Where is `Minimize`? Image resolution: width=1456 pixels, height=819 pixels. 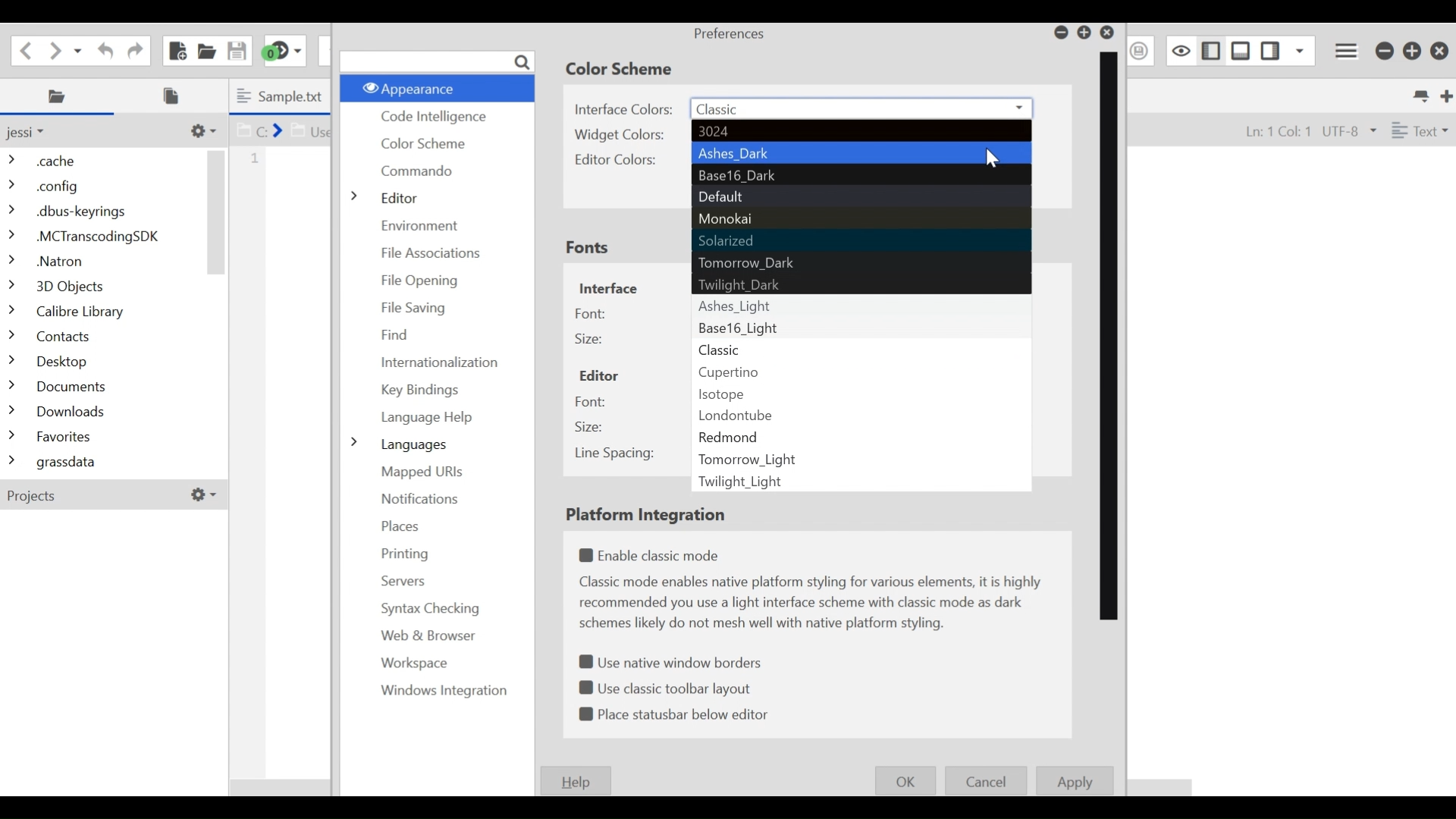
Minimize is located at coordinates (1059, 33).